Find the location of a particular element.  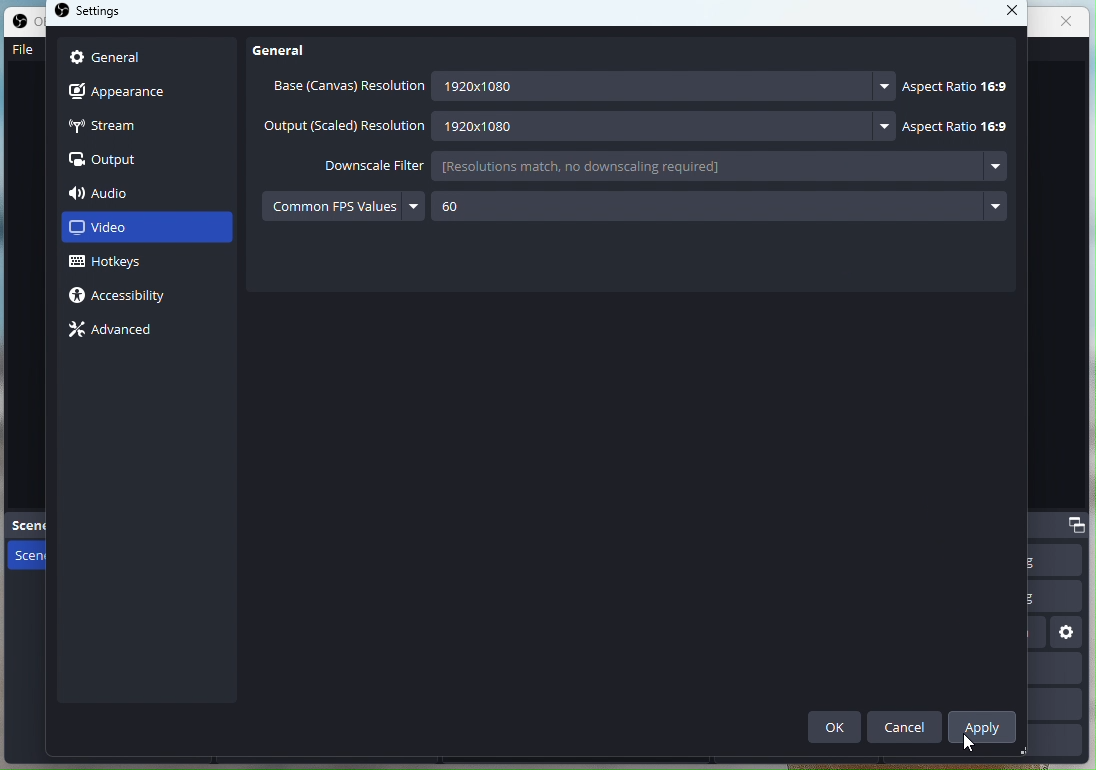

more options is located at coordinates (884, 88).